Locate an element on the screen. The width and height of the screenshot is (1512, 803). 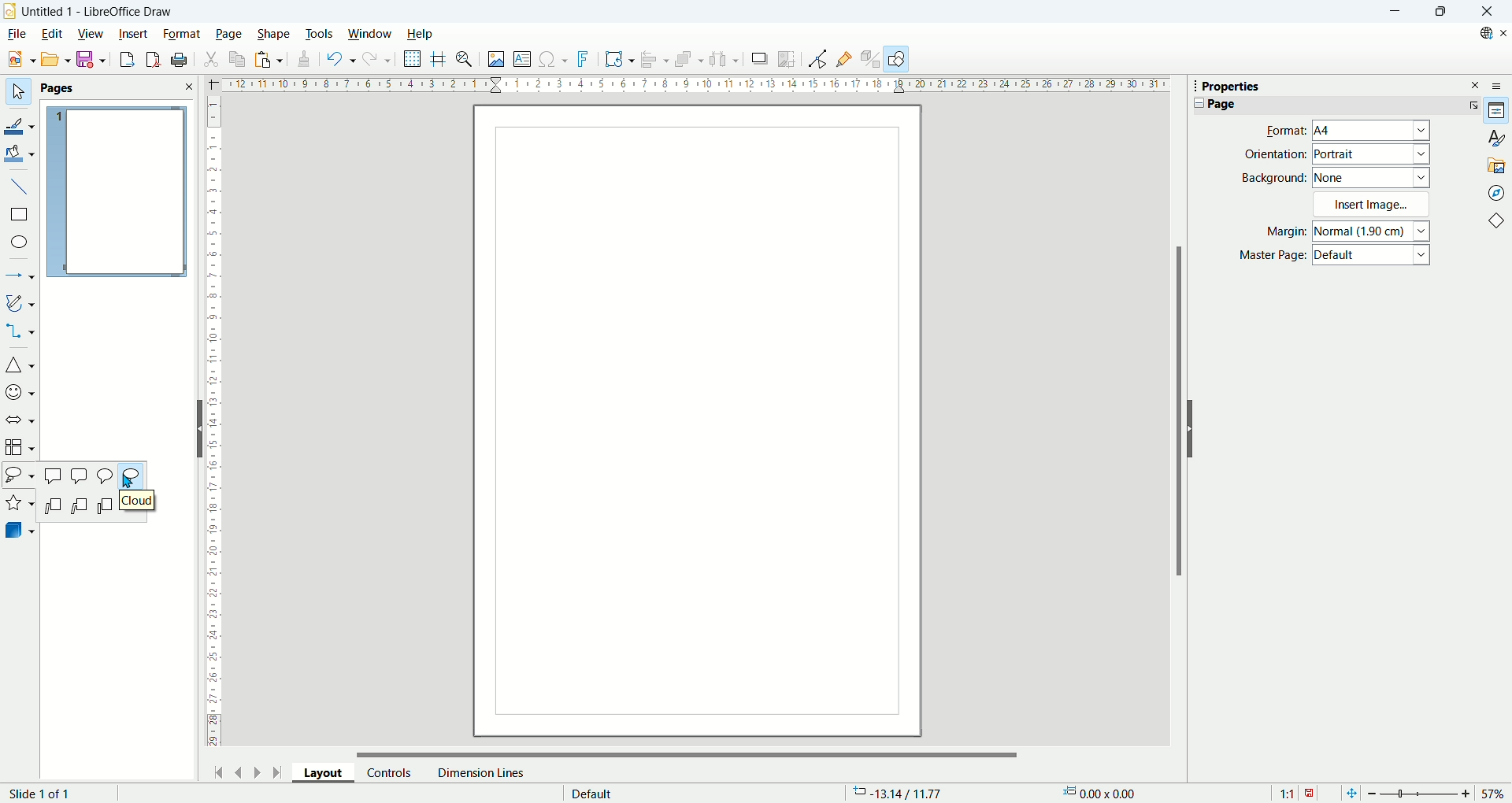
Margin is located at coordinates (1281, 233).